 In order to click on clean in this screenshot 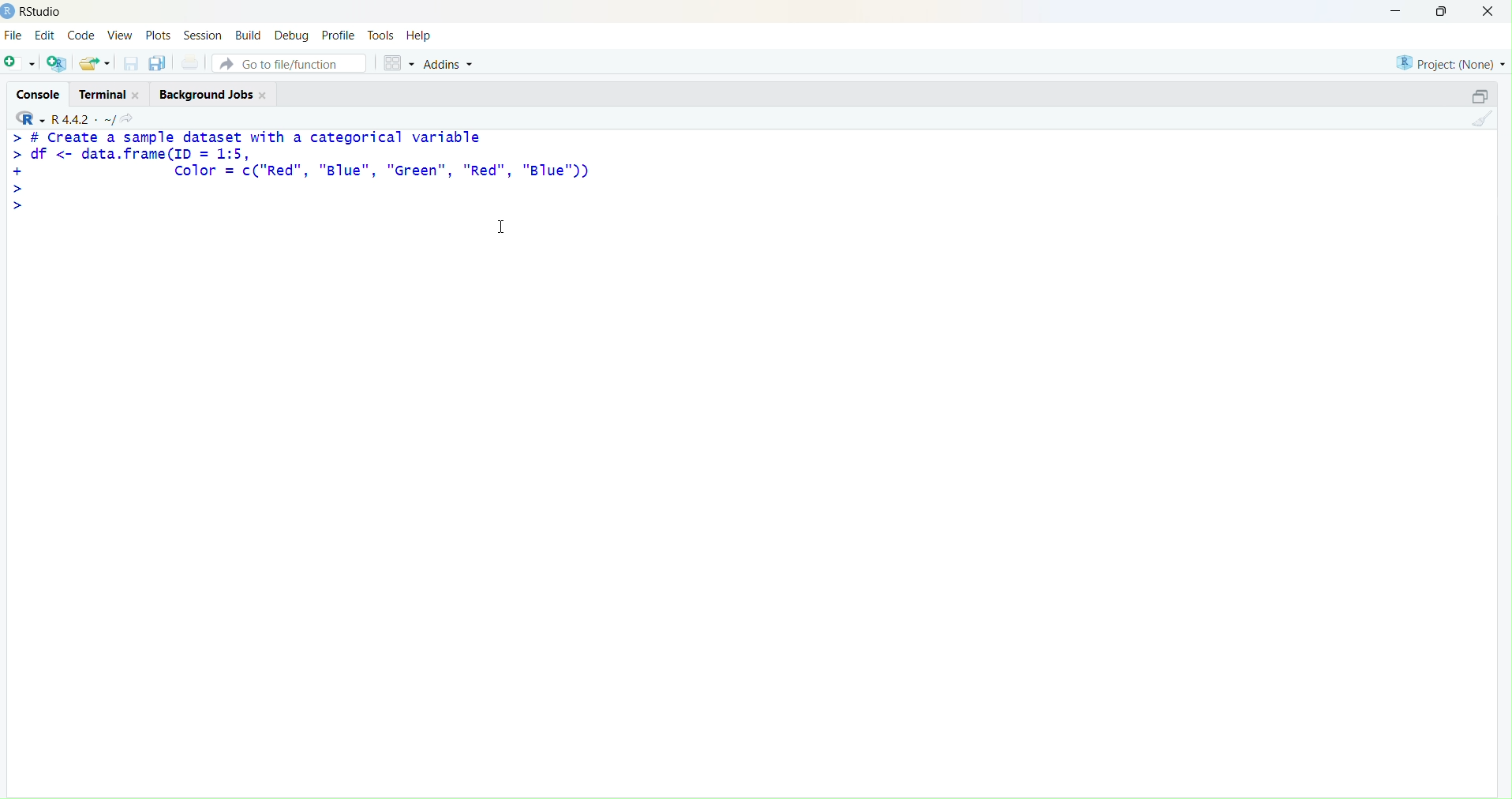, I will do `click(1482, 118)`.